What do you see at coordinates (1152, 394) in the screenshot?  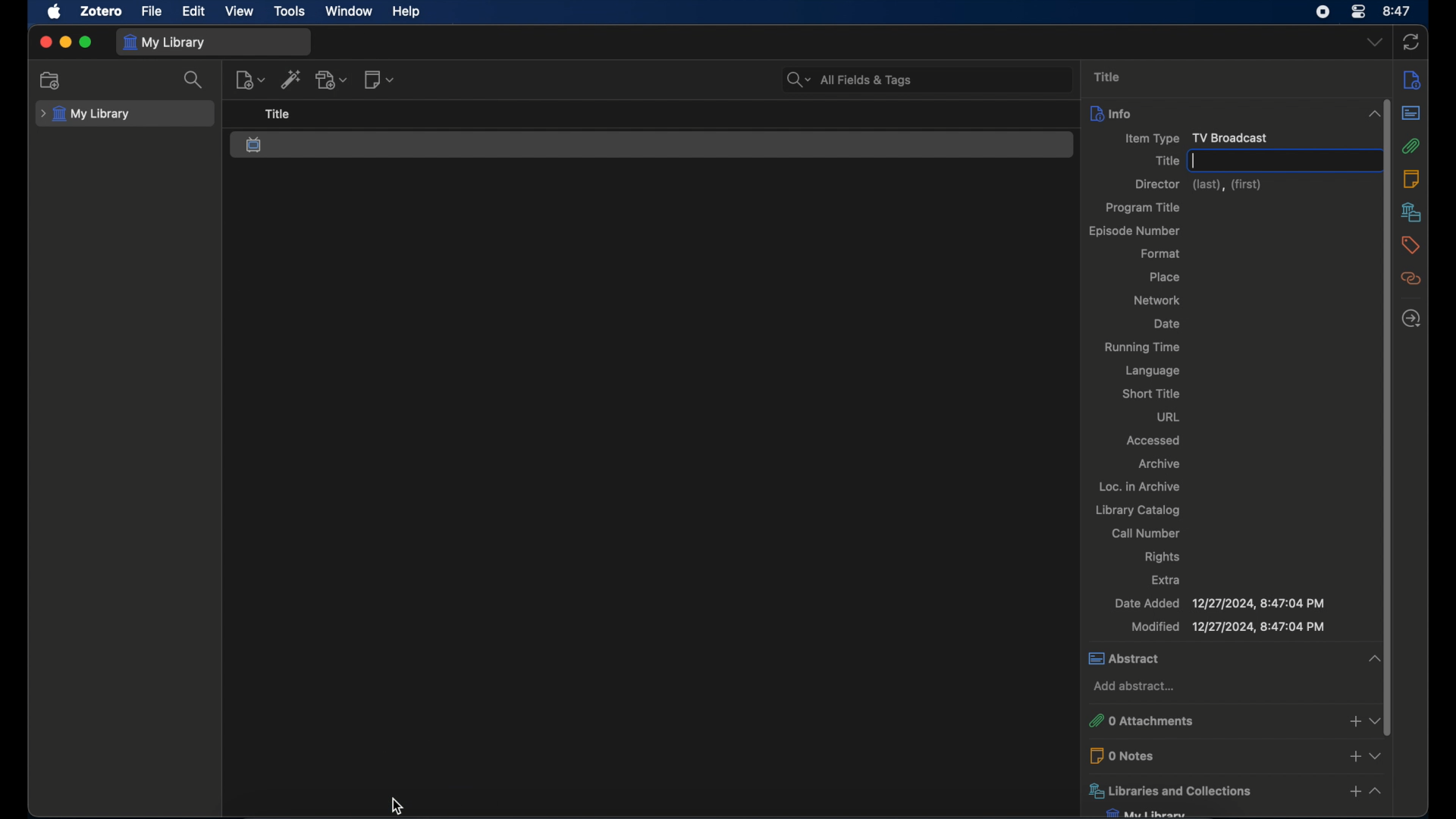 I see `short title` at bounding box center [1152, 394].